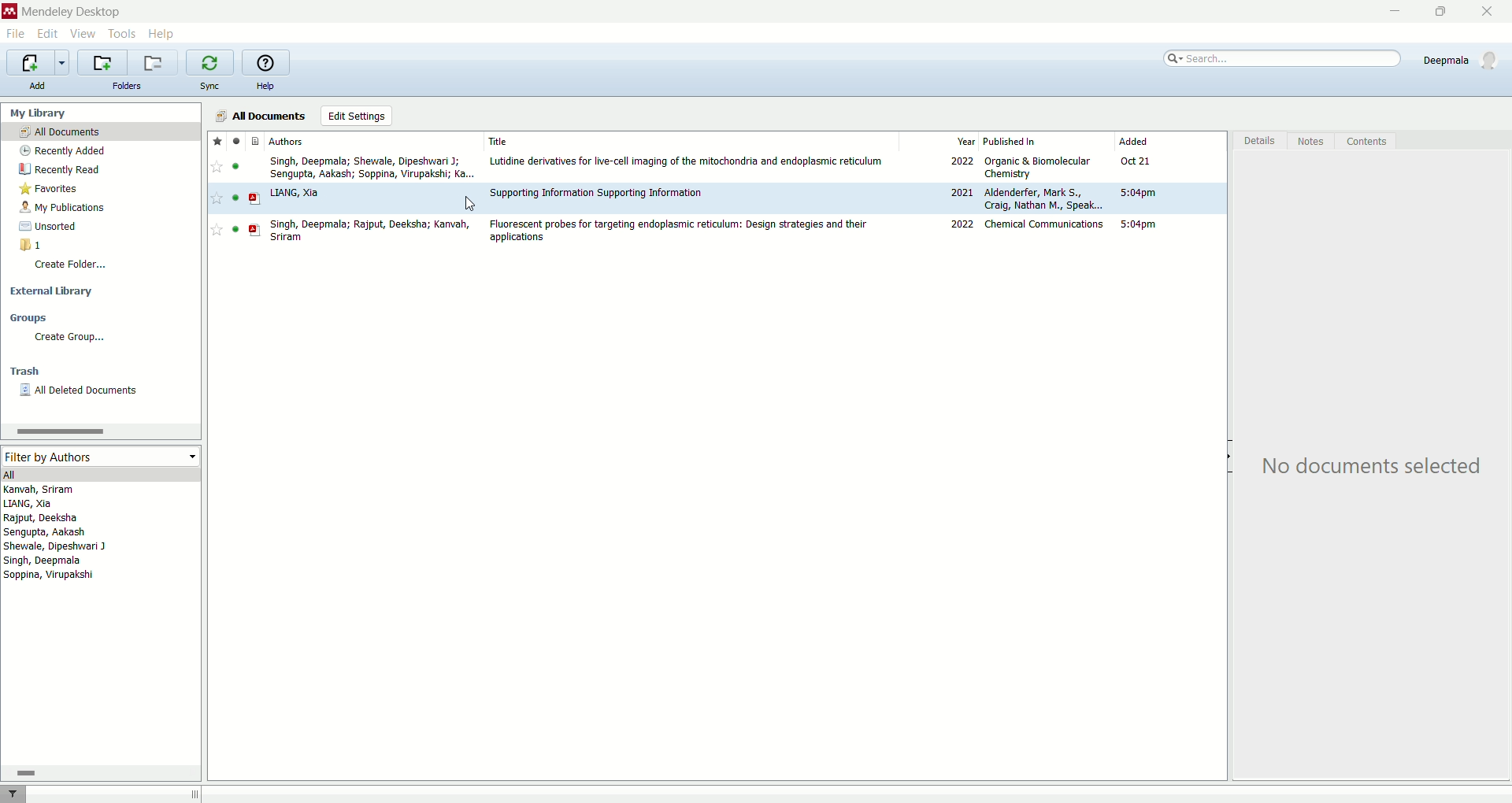 This screenshot has width=1512, height=803. I want to click on trash, so click(24, 371).